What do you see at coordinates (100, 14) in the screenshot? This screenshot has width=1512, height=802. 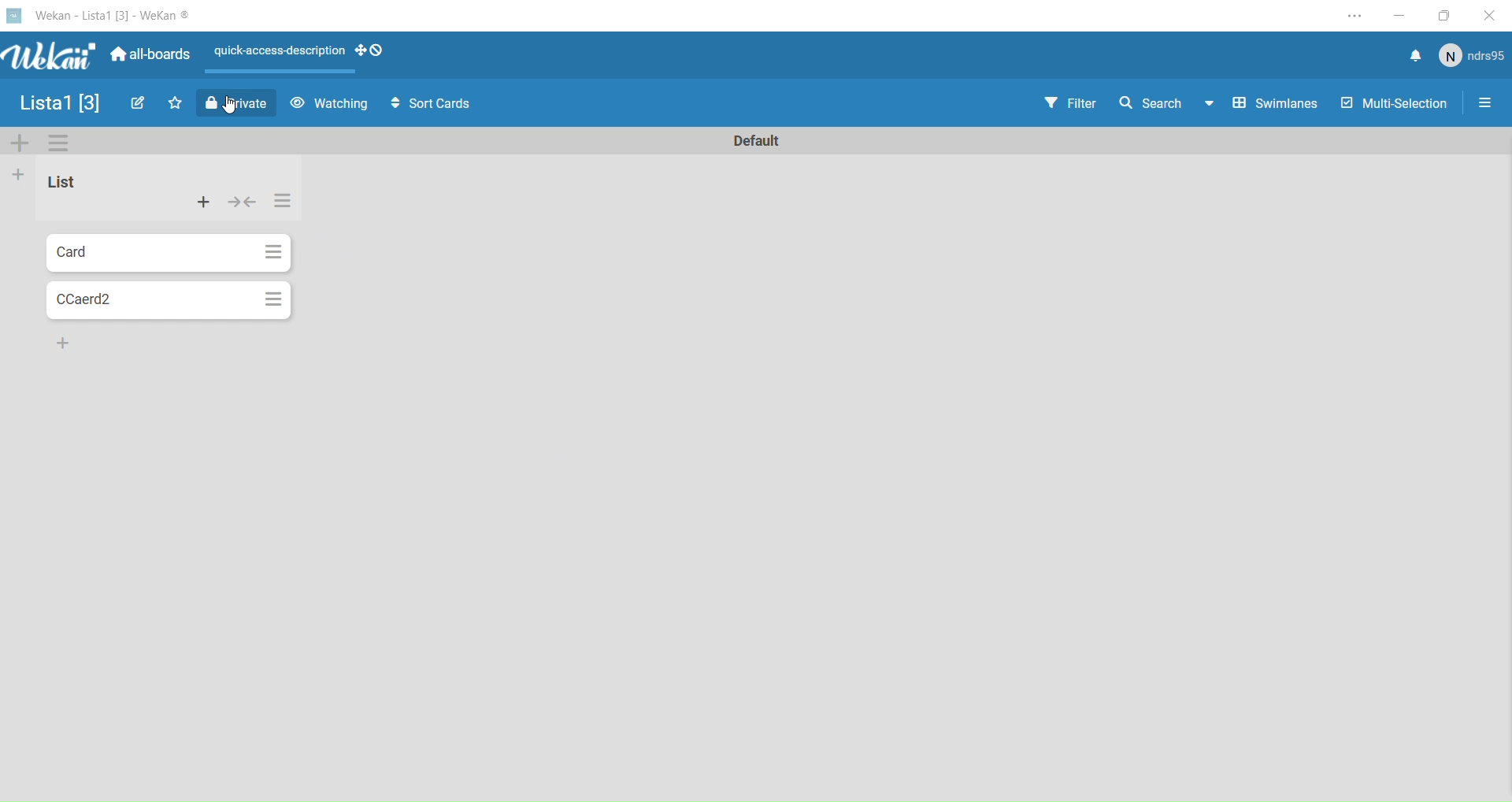 I see `Wekan ` at bounding box center [100, 14].